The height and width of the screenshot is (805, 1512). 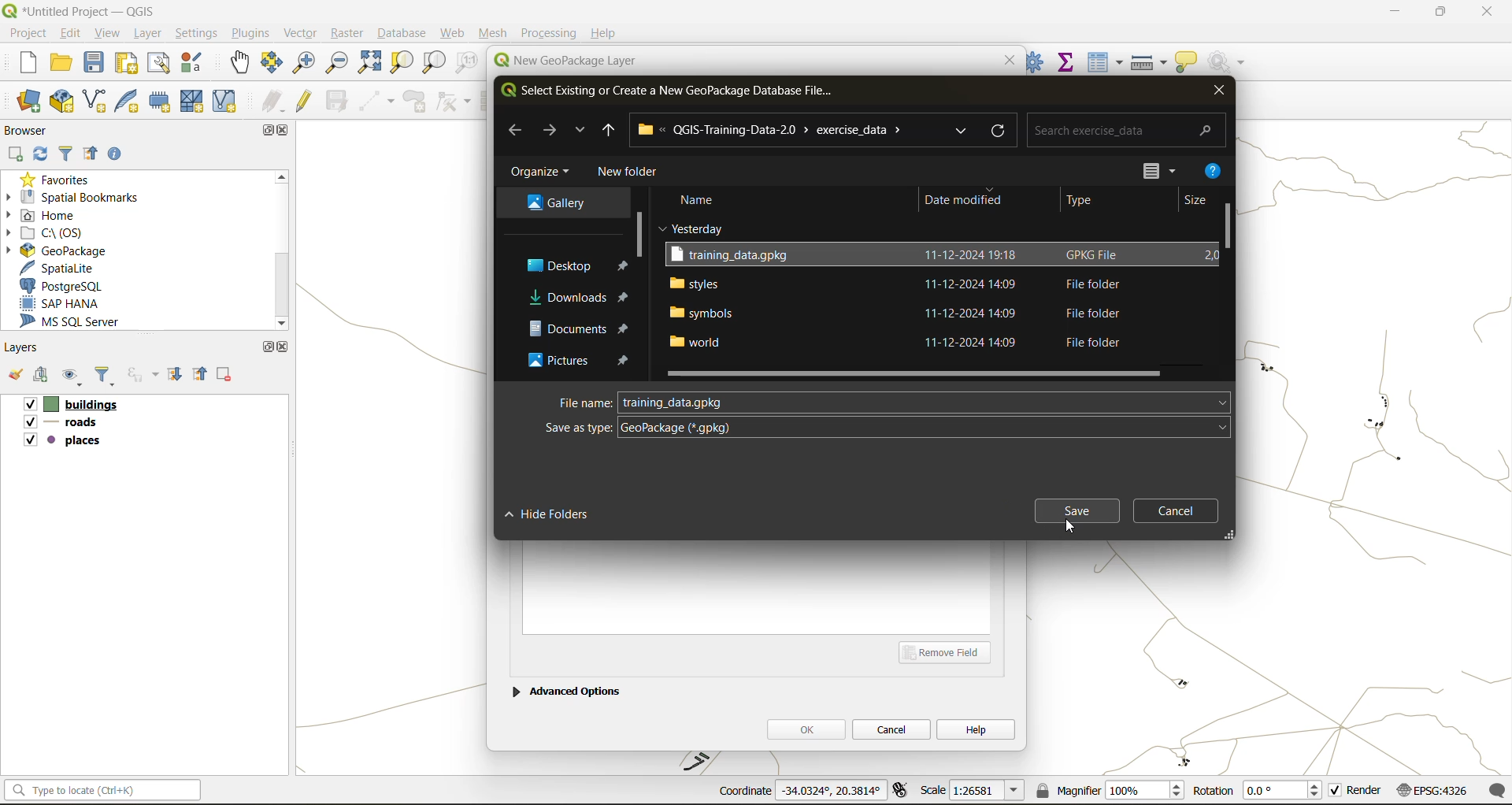 I want to click on save, so click(x=95, y=66).